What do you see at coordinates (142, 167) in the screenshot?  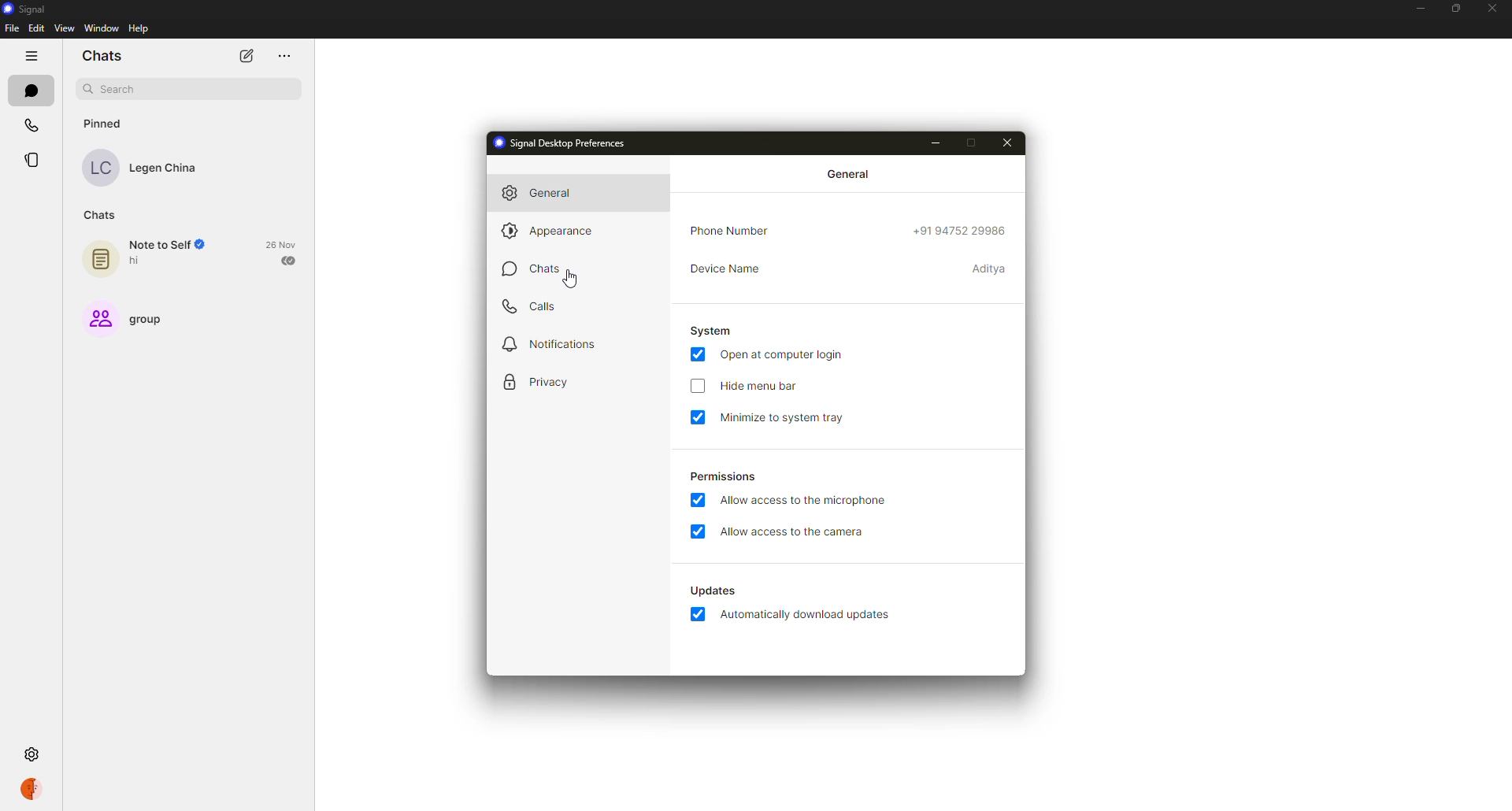 I see `Legen China` at bounding box center [142, 167].